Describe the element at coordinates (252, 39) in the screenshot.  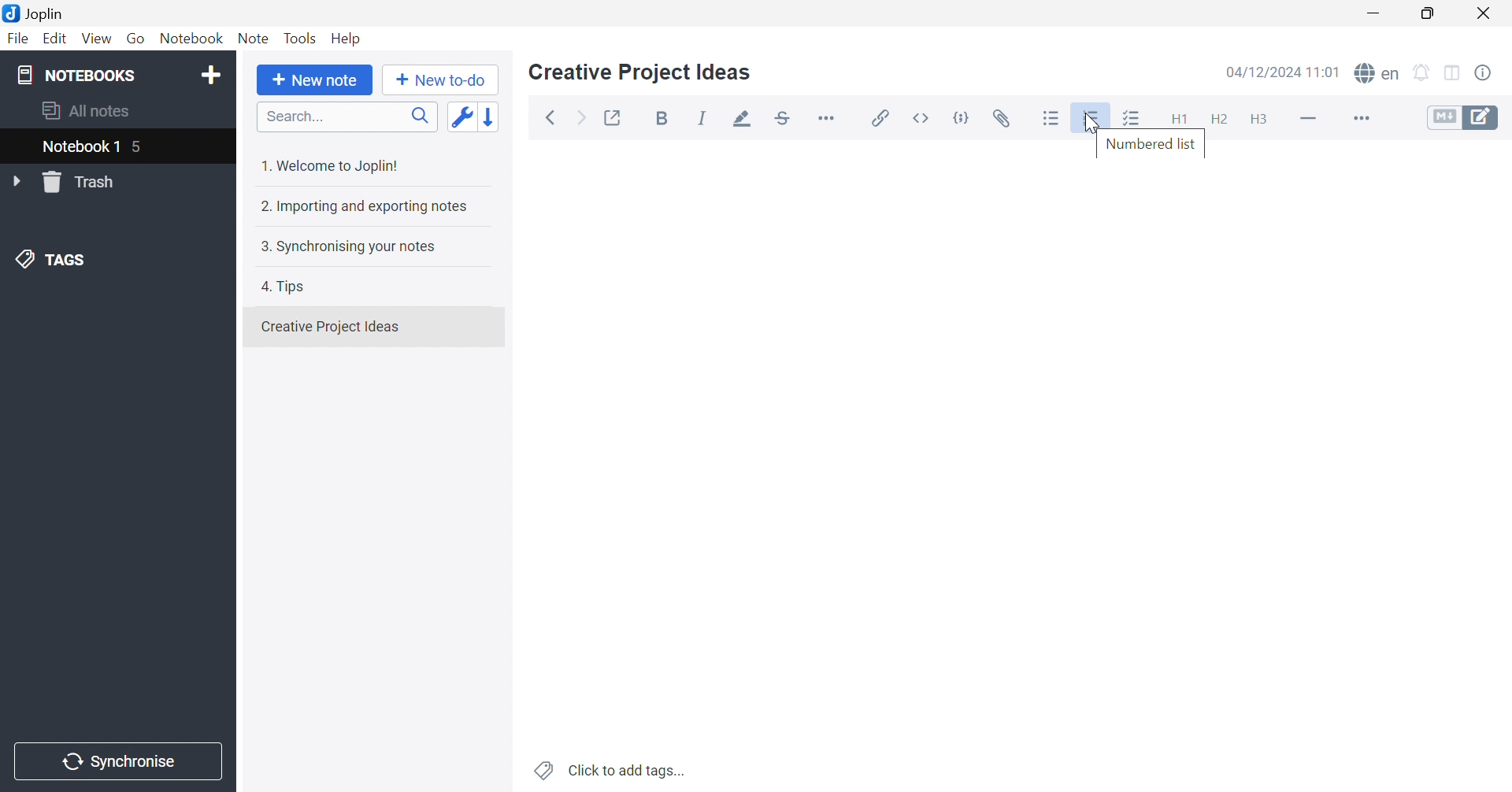
I see `Note` at that location.